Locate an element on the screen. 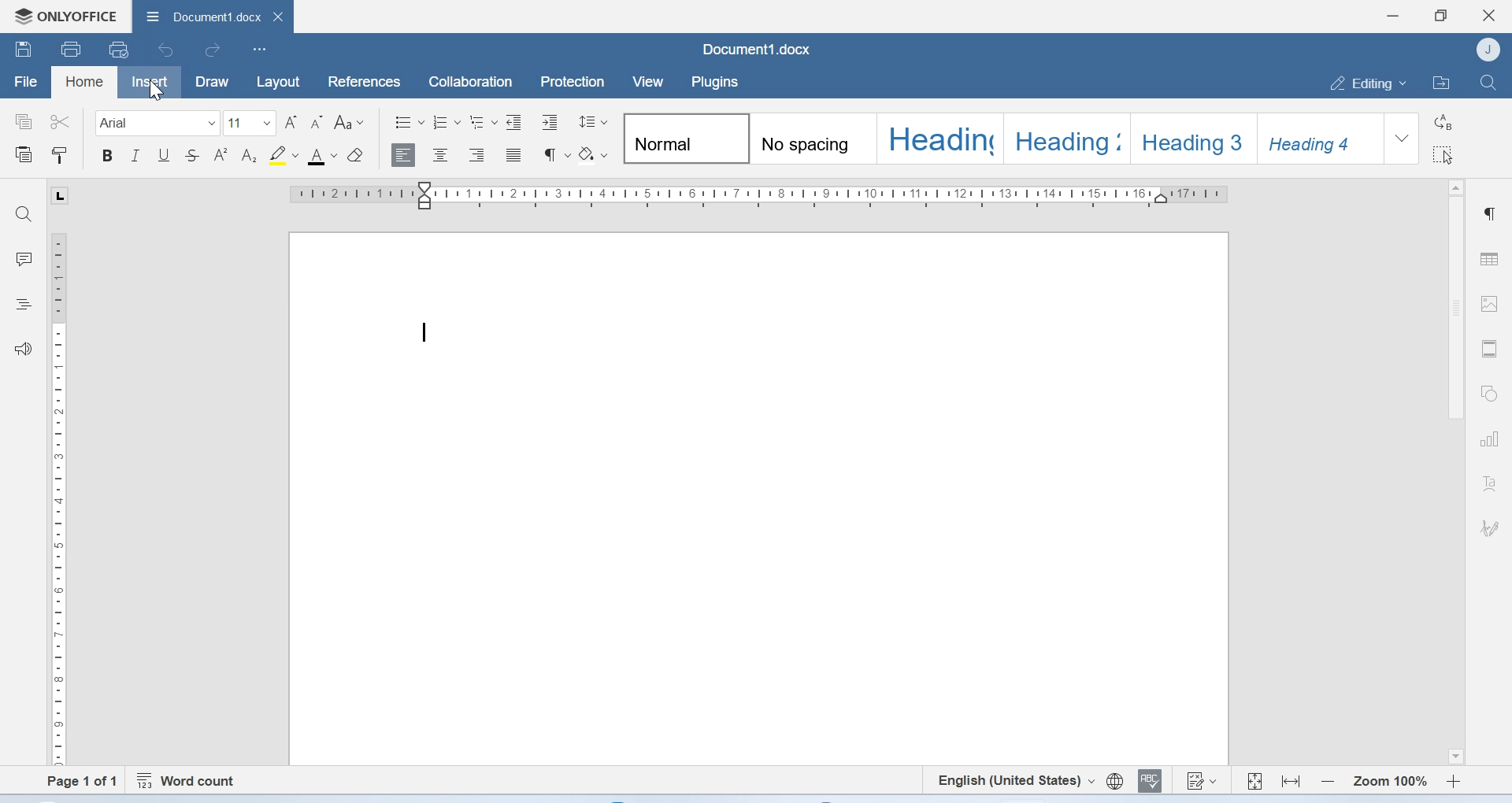 The width and height of the screenshot is (1512, 803). Font color is located at coordinates (323, 155).